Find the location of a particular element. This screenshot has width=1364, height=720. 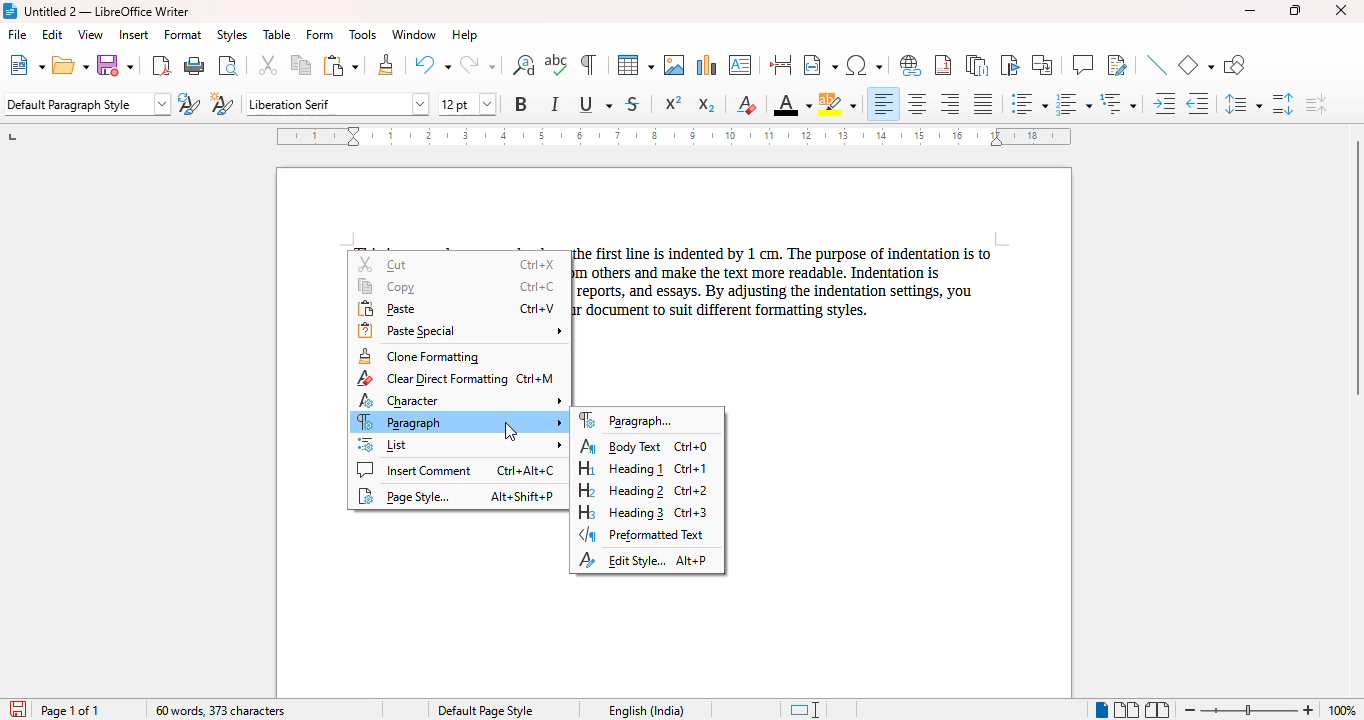

underline is located at coordinates (594, 105).